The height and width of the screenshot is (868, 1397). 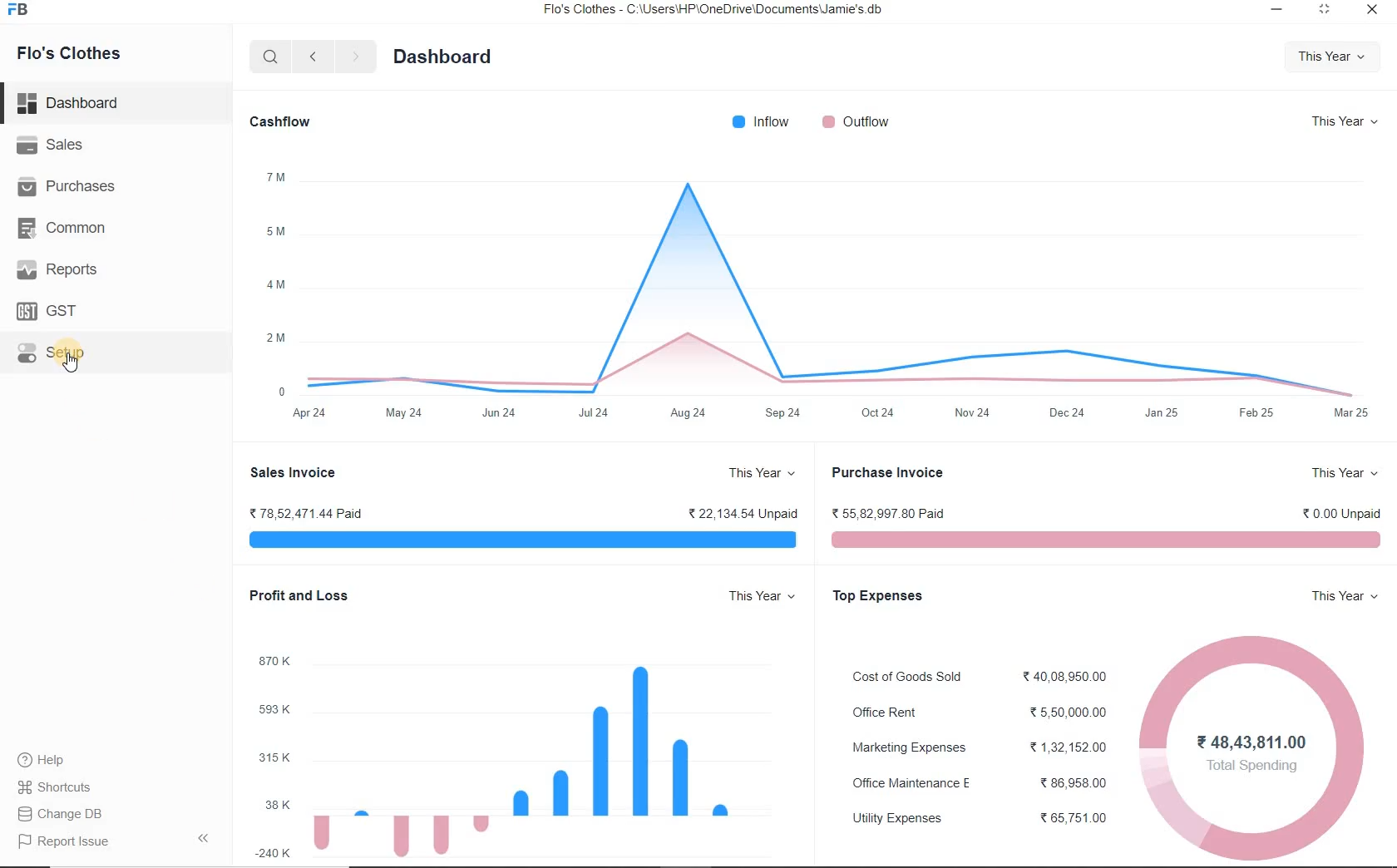 What do you see at coordinates (1259, 750) in the screenshot?
I see `graph` at bounding box center [1259, 750].